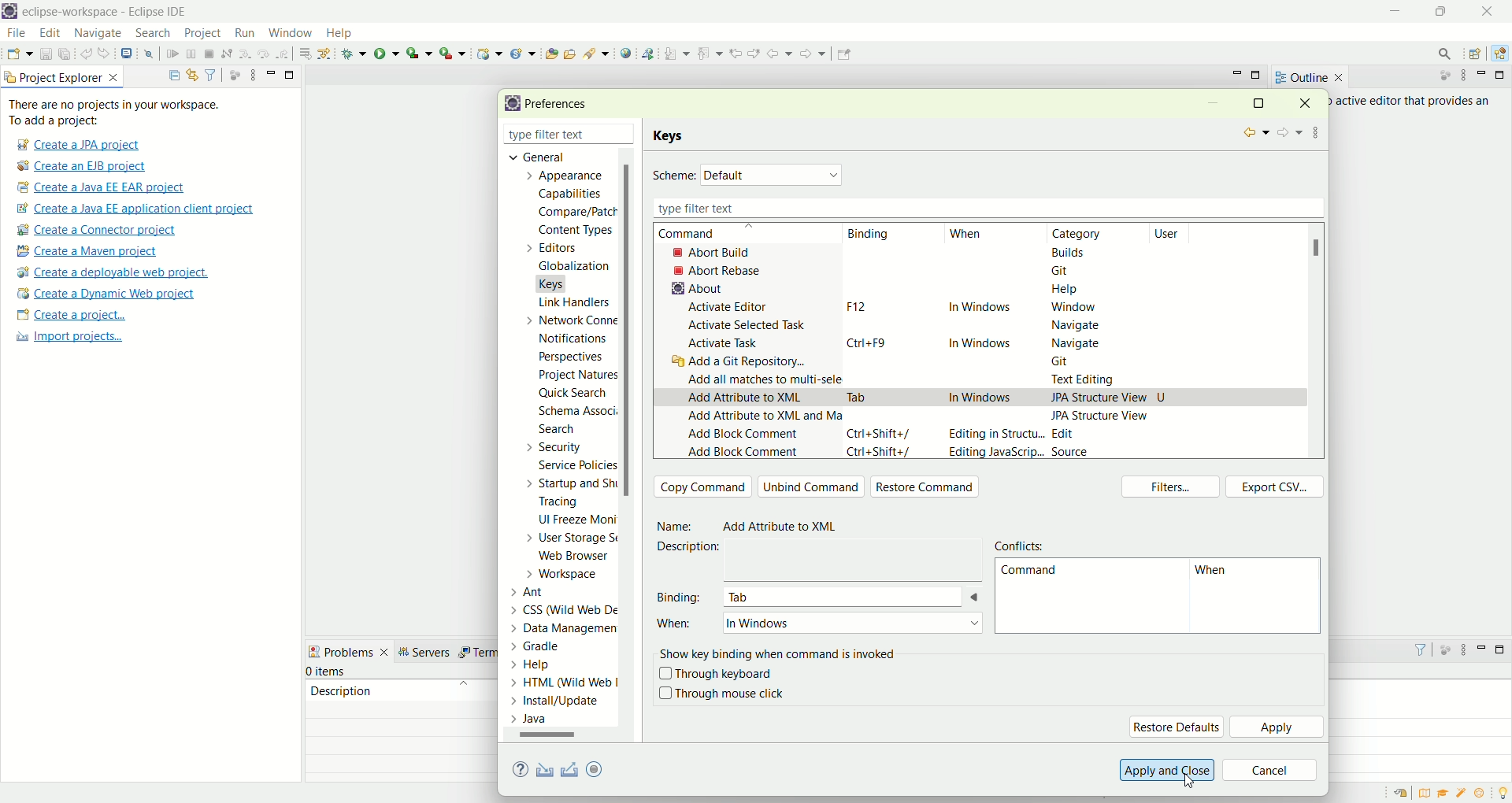 This screenshot has width=1512, height=803. I want to click on Gradle, so click(550, 645).